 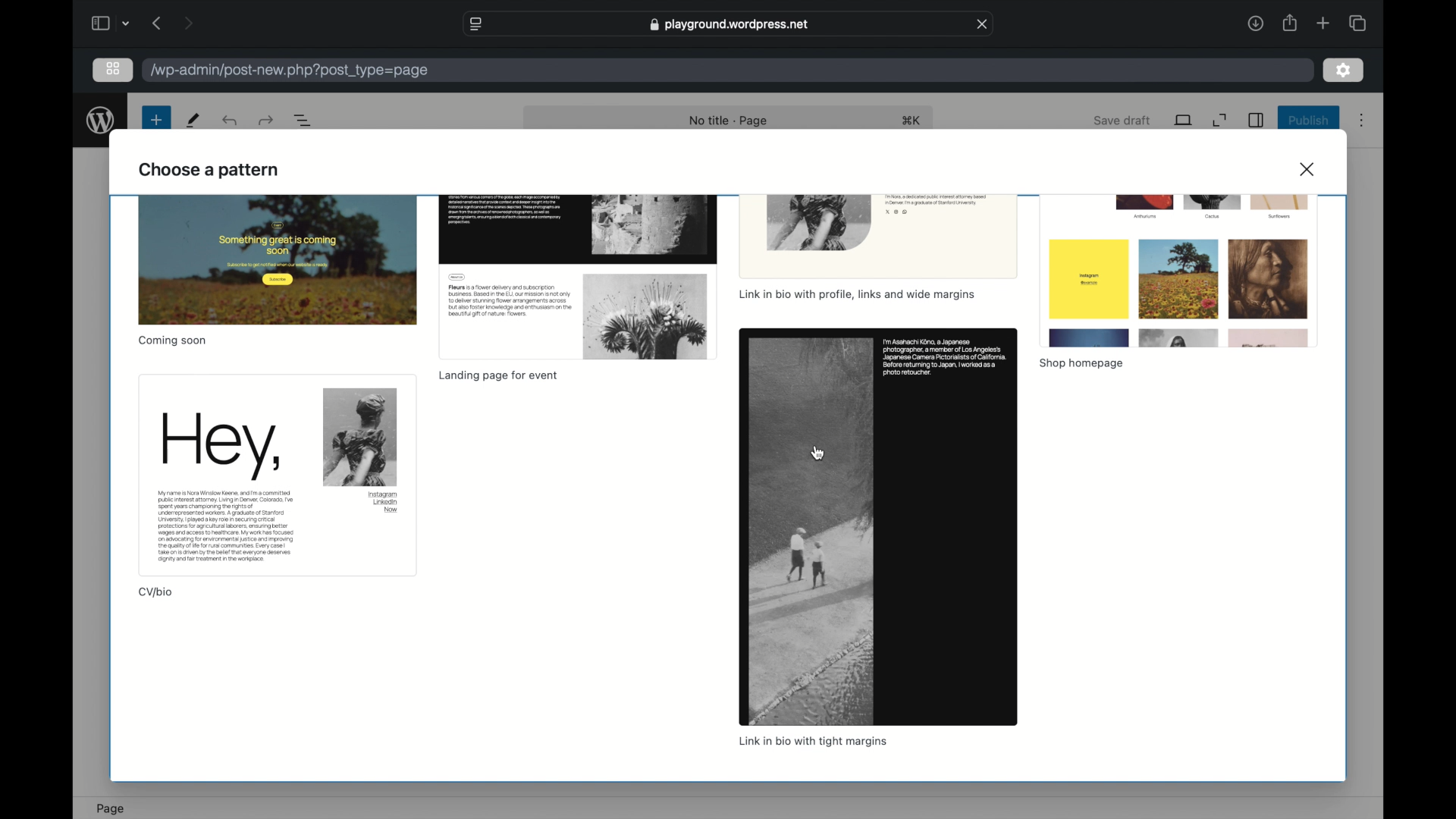 I want to click on link in bio, so click(x=811, y=742).